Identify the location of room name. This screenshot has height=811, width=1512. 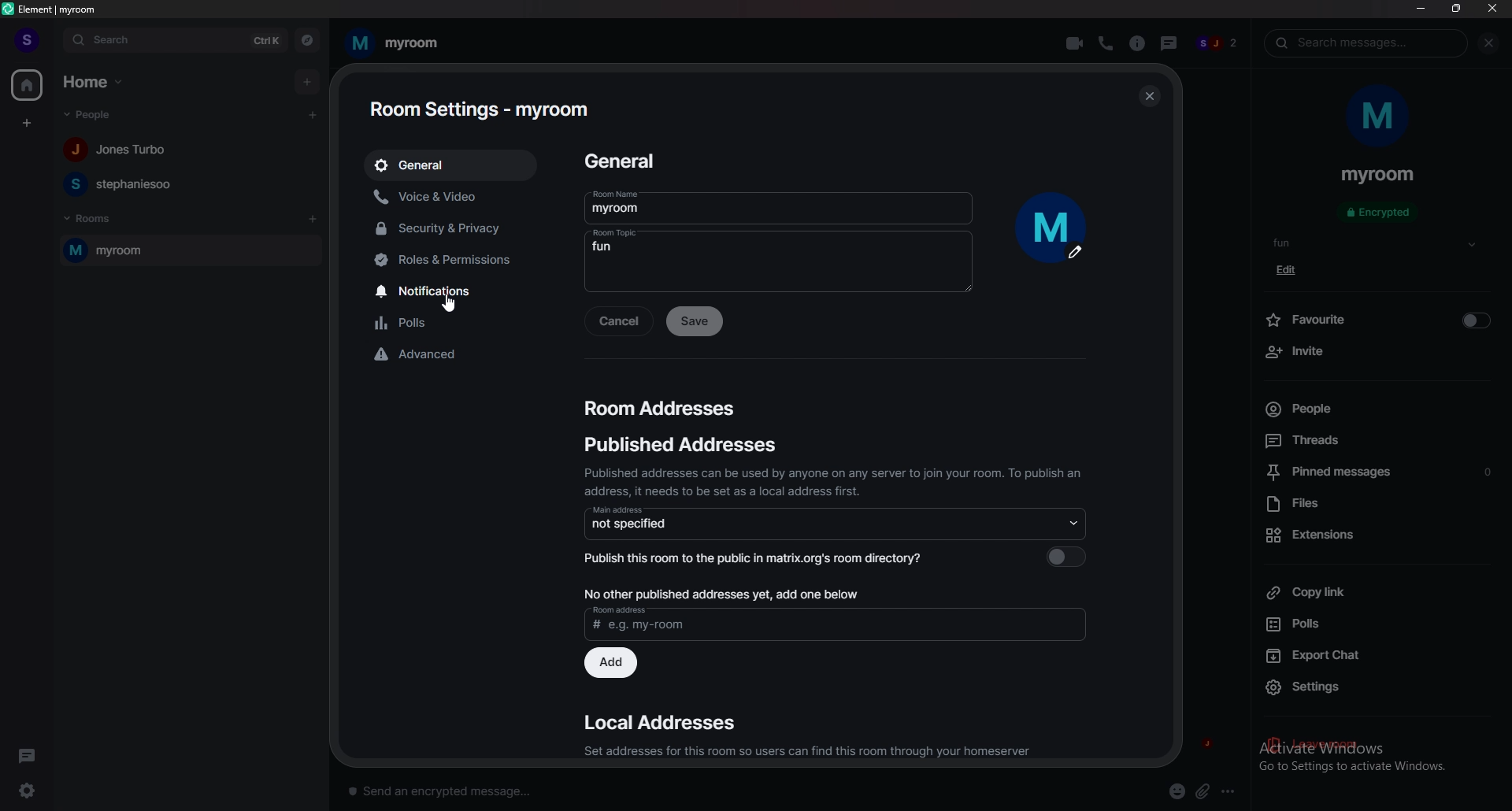
(394, 43).